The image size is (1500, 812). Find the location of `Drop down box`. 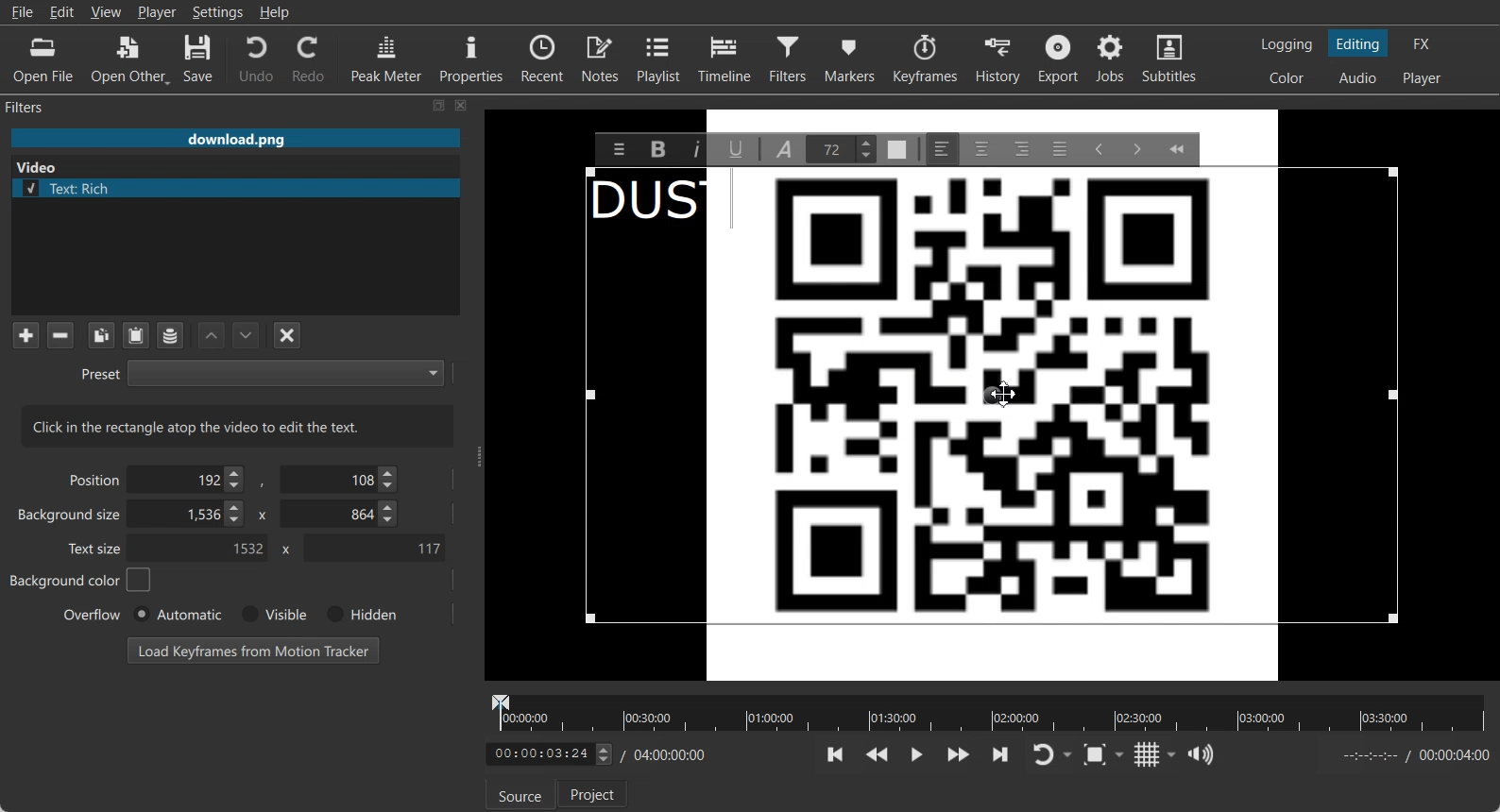

Drop down box is located at coordinates (1069, 755).